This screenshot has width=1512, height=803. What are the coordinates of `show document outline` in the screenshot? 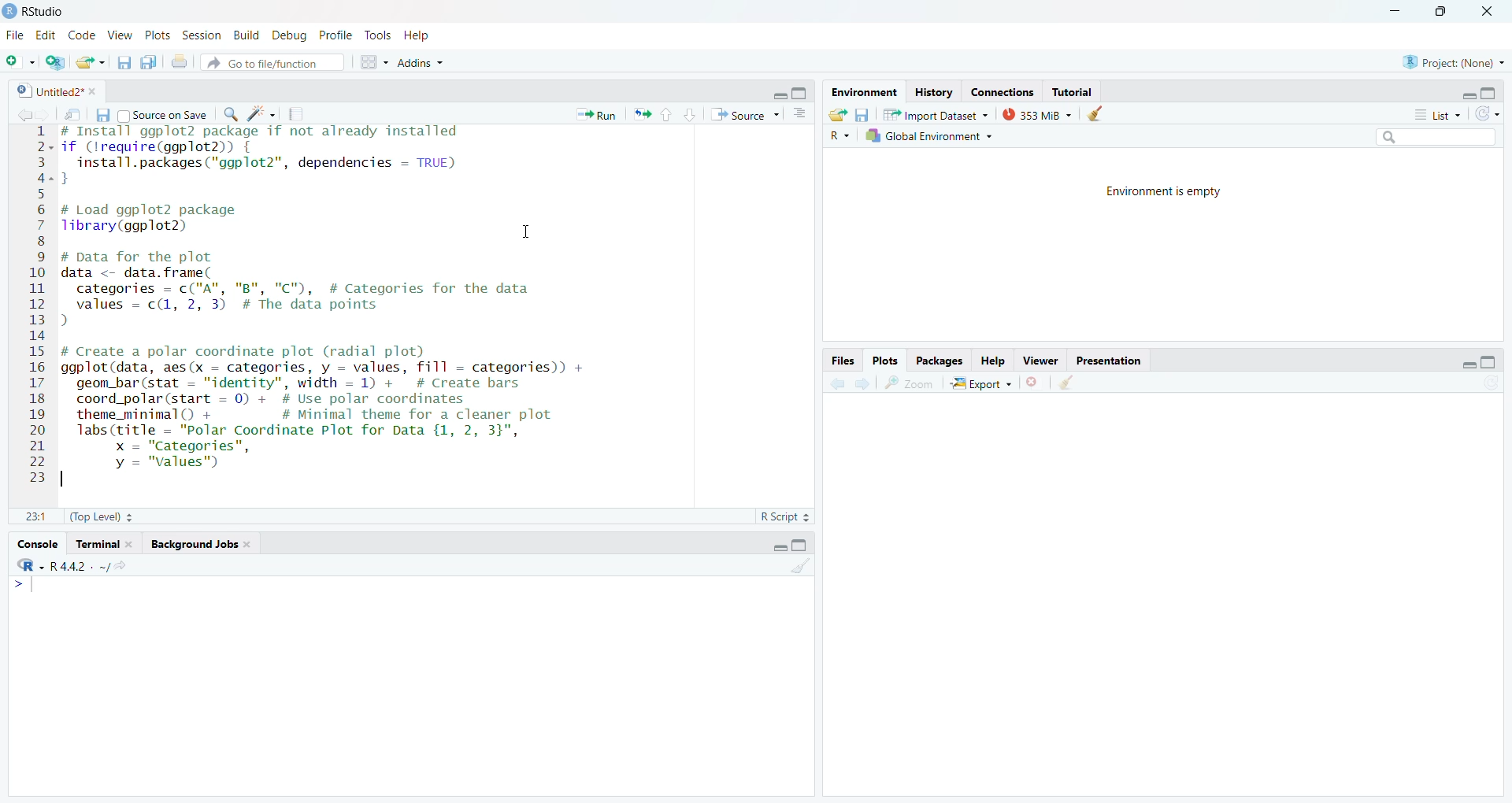 It's located at (805, 114).